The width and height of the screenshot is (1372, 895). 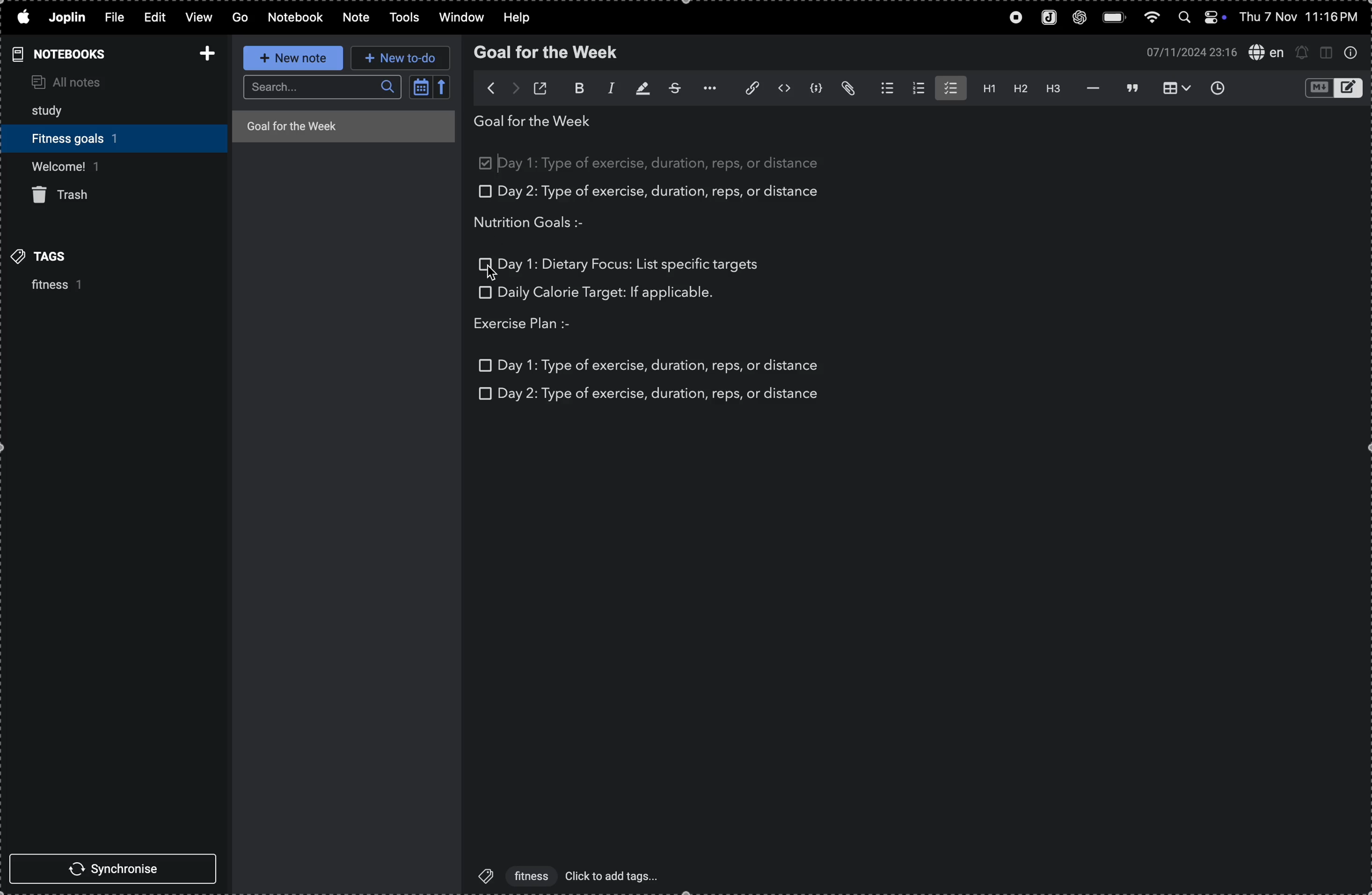 I want to click on daily calorie target: if applicable., so click(x=606, y=295).